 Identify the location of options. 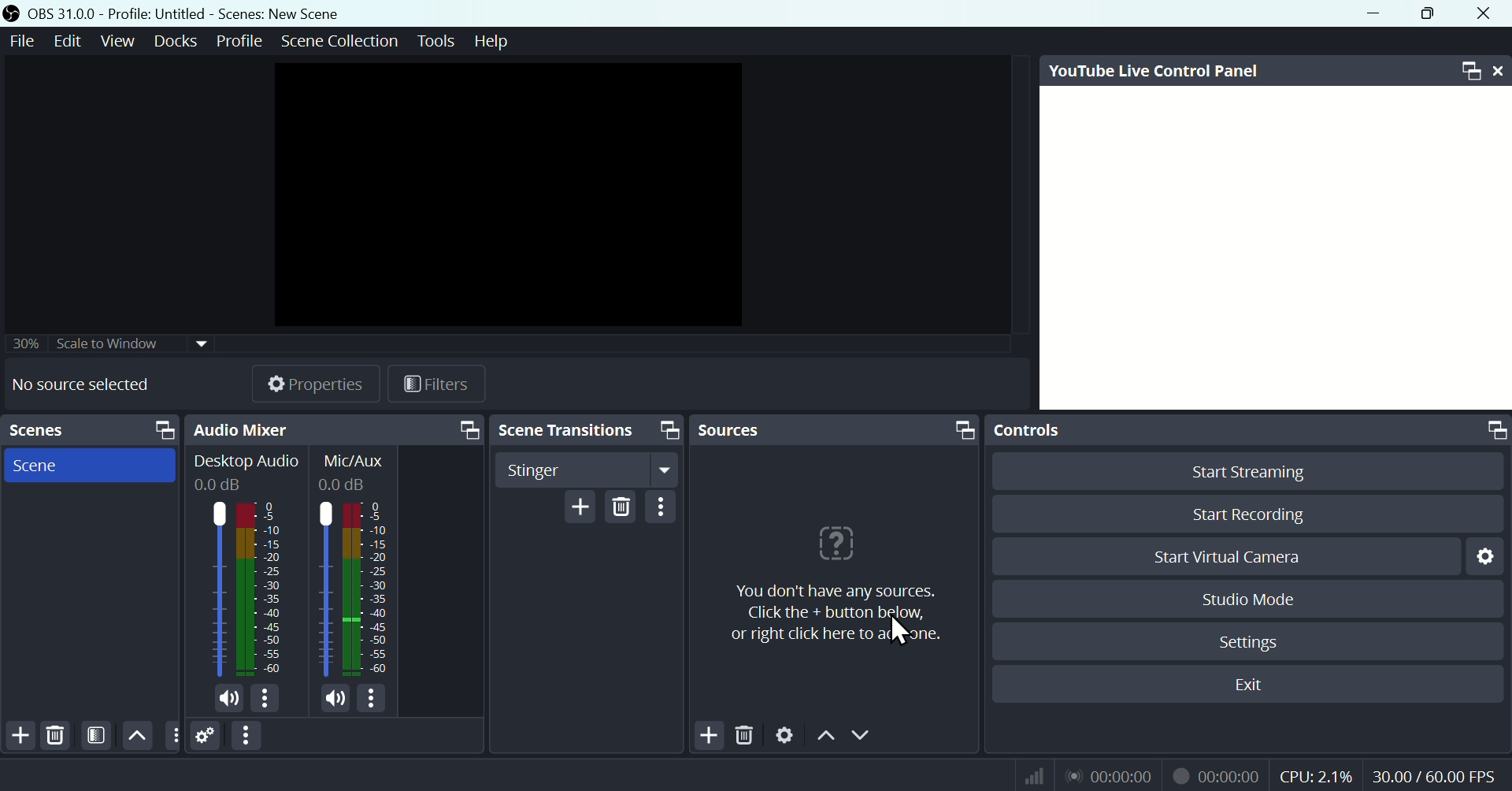
(370, 698).